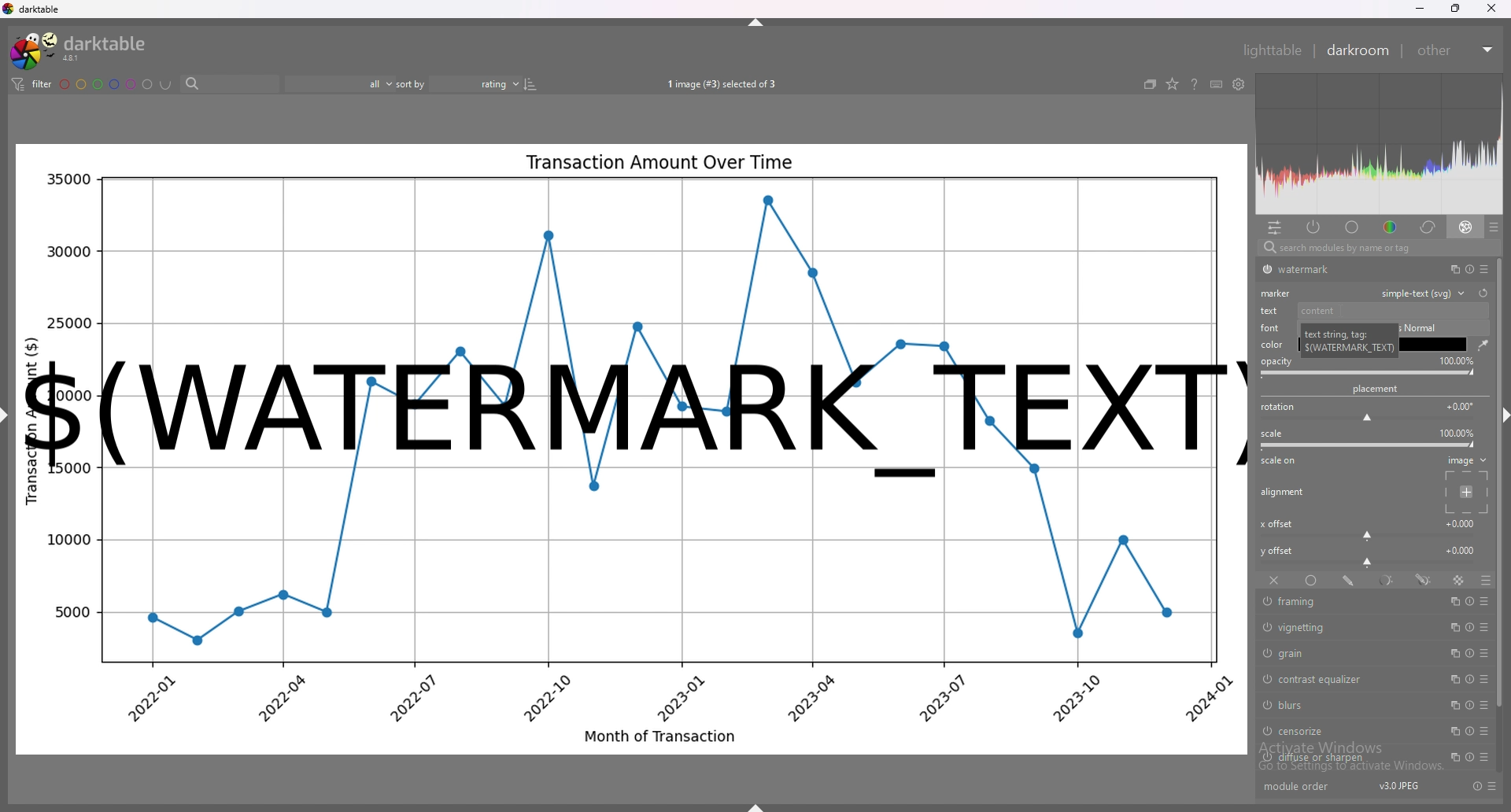  What do you see at coordinates (1348, 269) in the screenshot?
I see `watermark` at bounding box center [1348, 269].